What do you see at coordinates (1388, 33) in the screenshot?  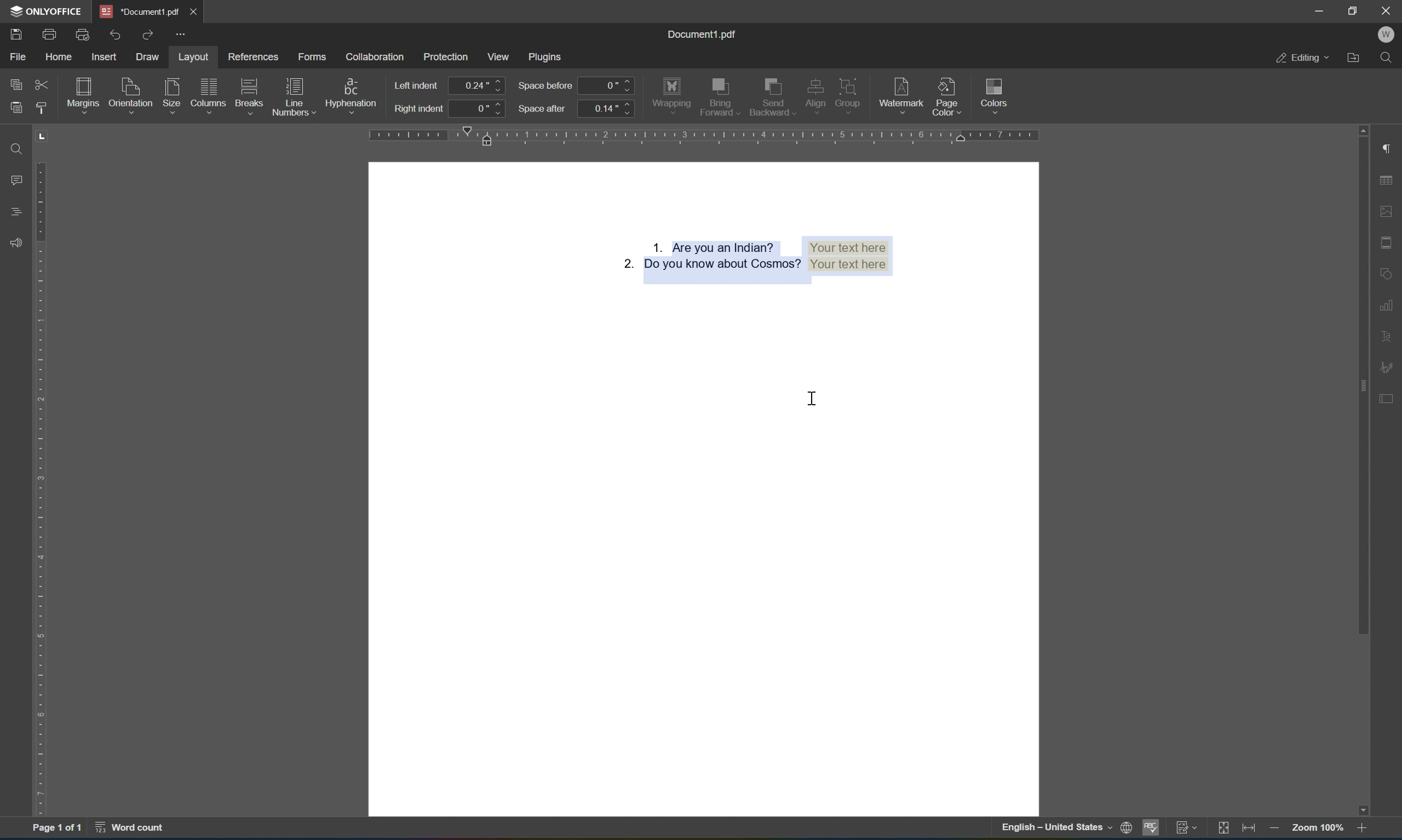 I see `W` at bounding box center [1388, 33].